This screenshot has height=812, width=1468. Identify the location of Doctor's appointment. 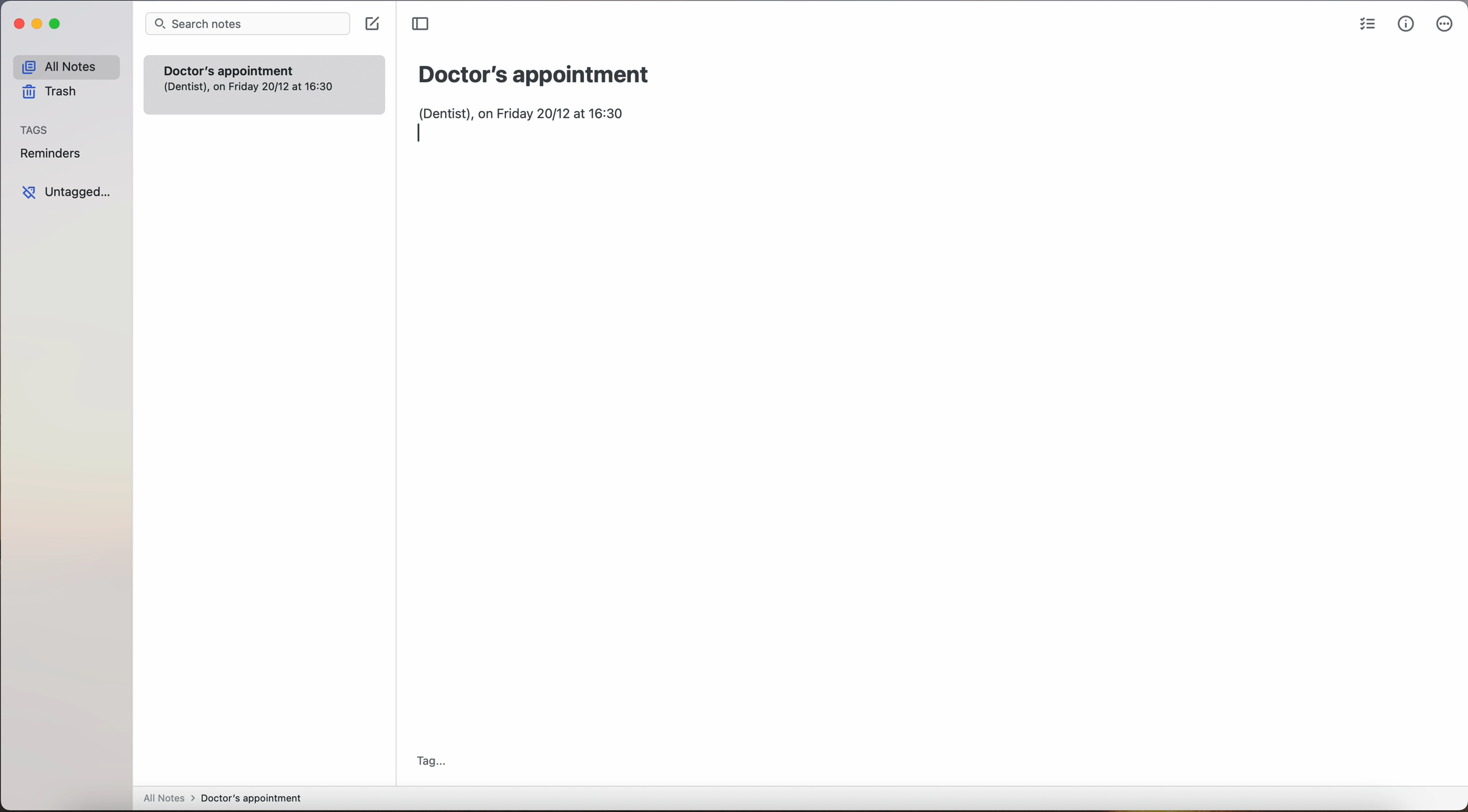
(264, 84).